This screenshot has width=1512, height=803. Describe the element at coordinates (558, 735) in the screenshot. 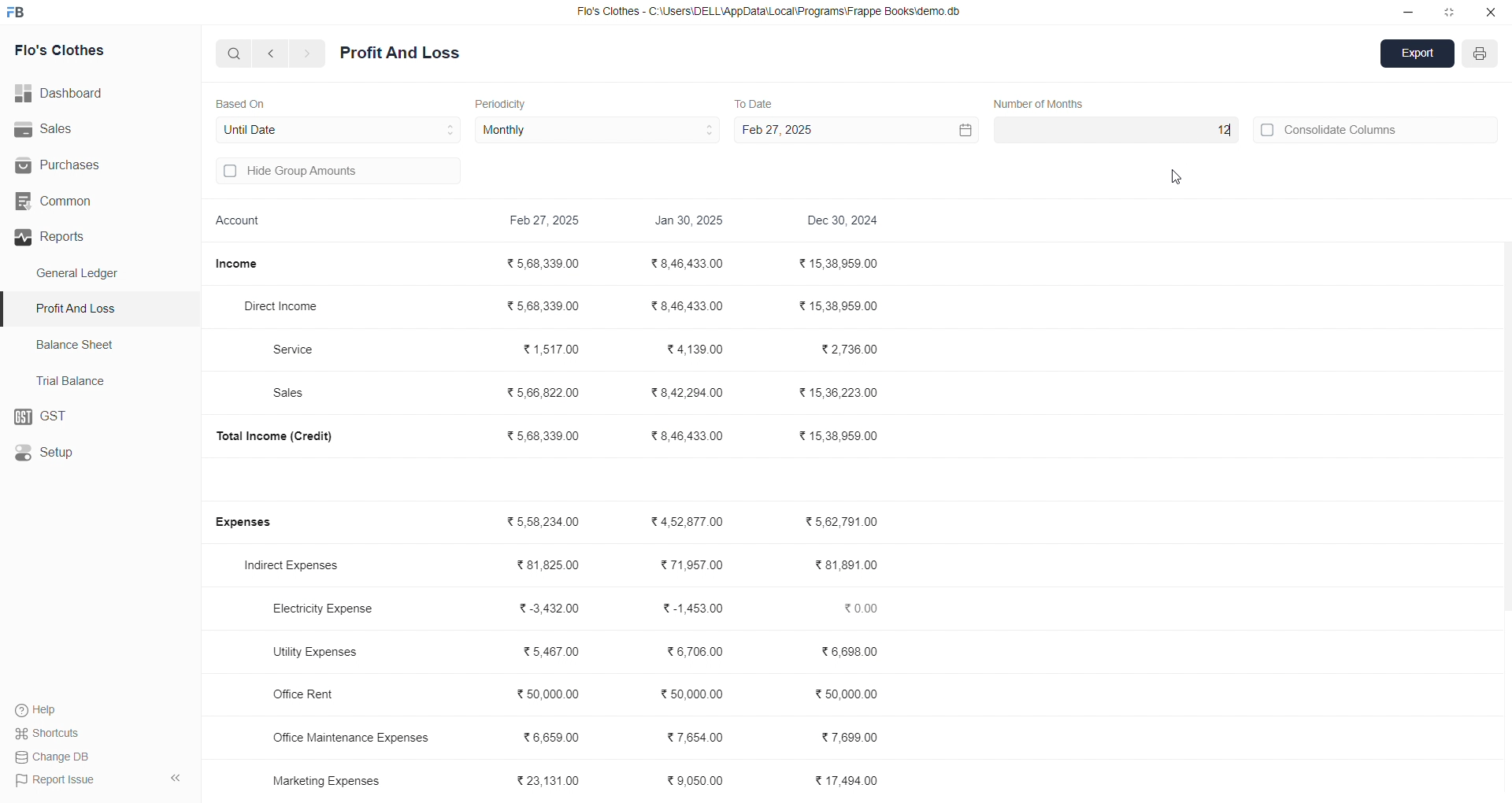

I see `₹ 6,659.00` at that location.